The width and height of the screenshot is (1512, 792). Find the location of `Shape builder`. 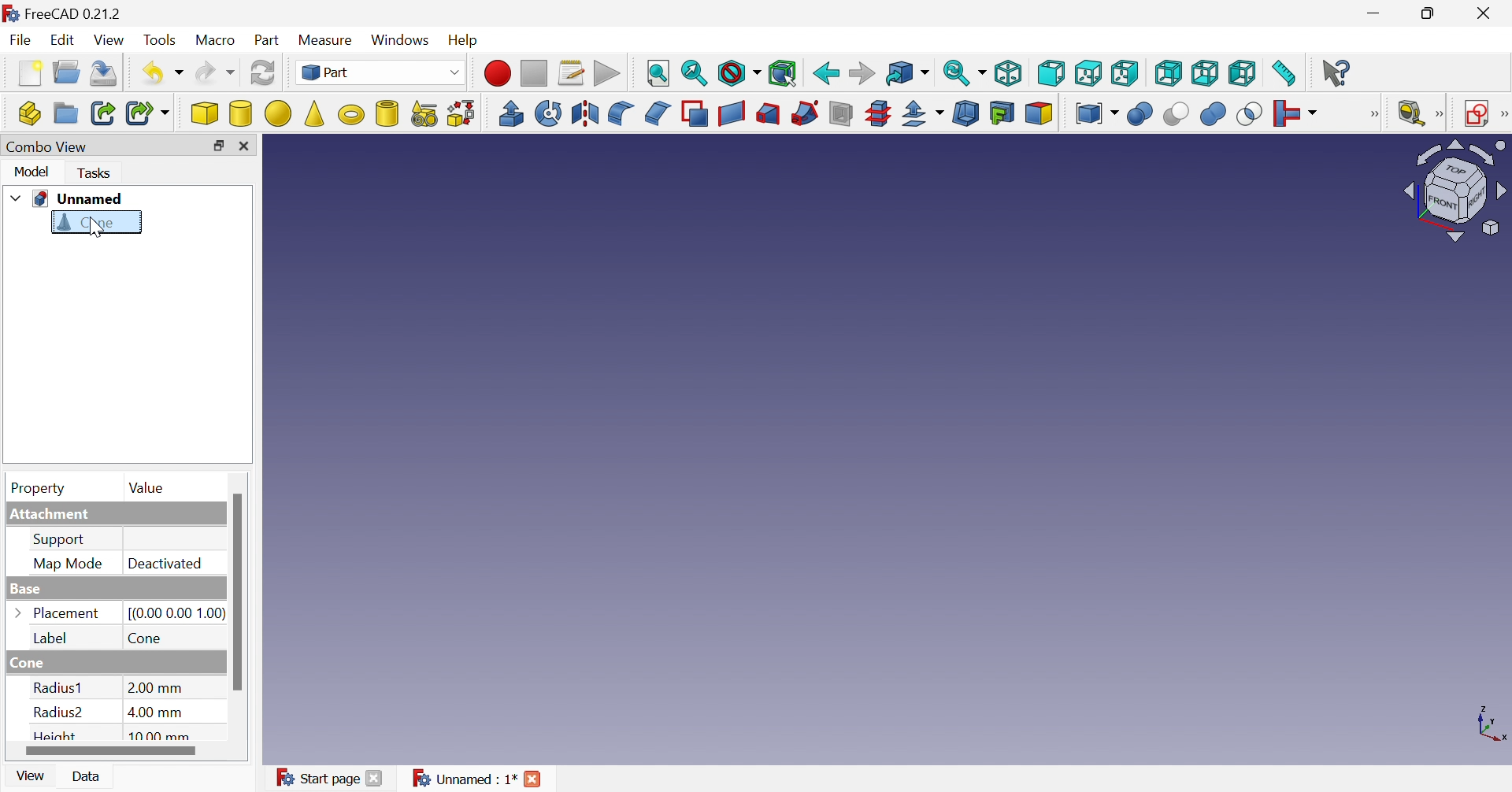

Shape builder is located at coordinates (458, 114).